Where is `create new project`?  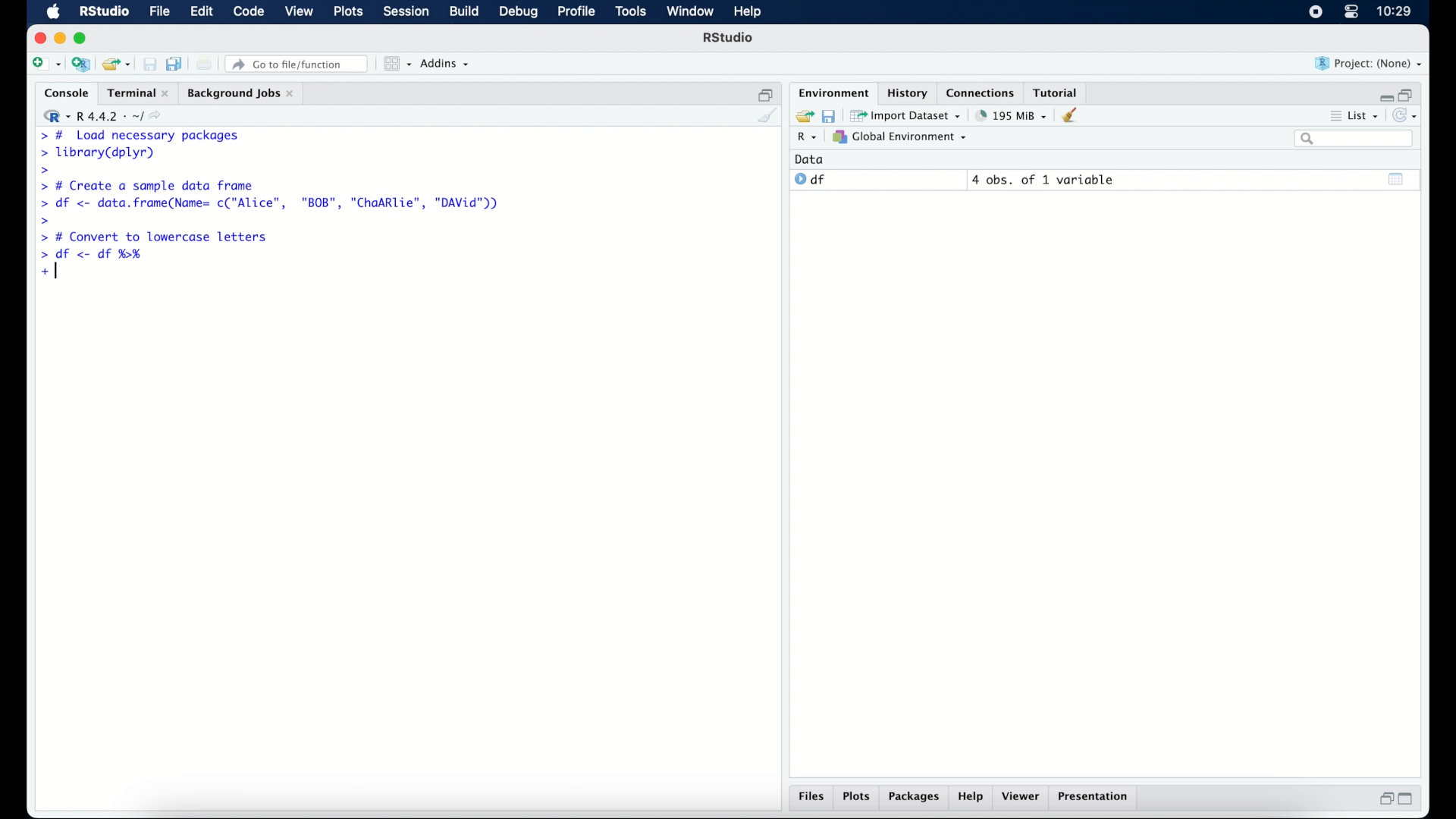 create new project is located at coordinates (81, 65).